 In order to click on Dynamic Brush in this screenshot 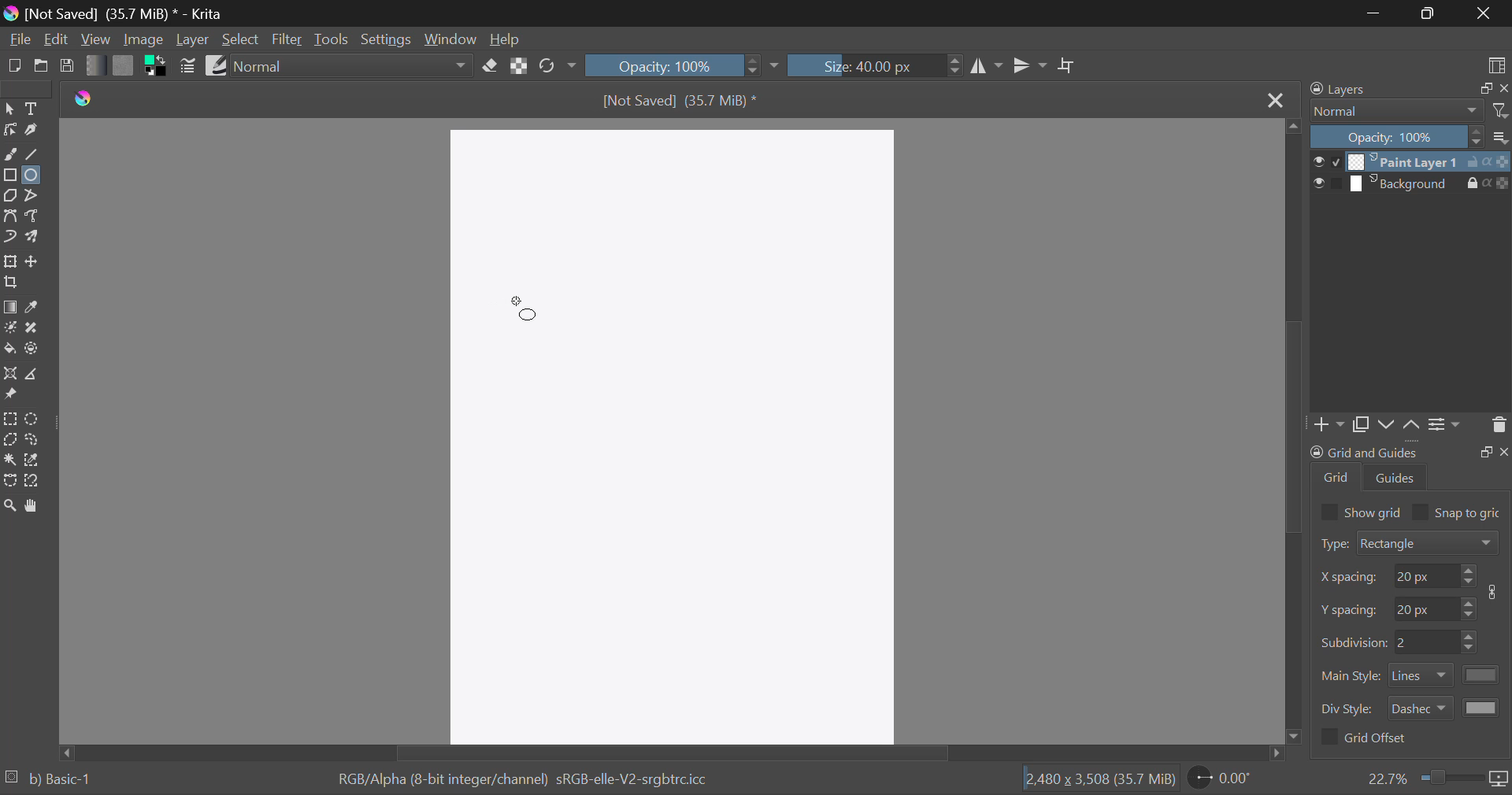, I will do `click(10, 238)`.